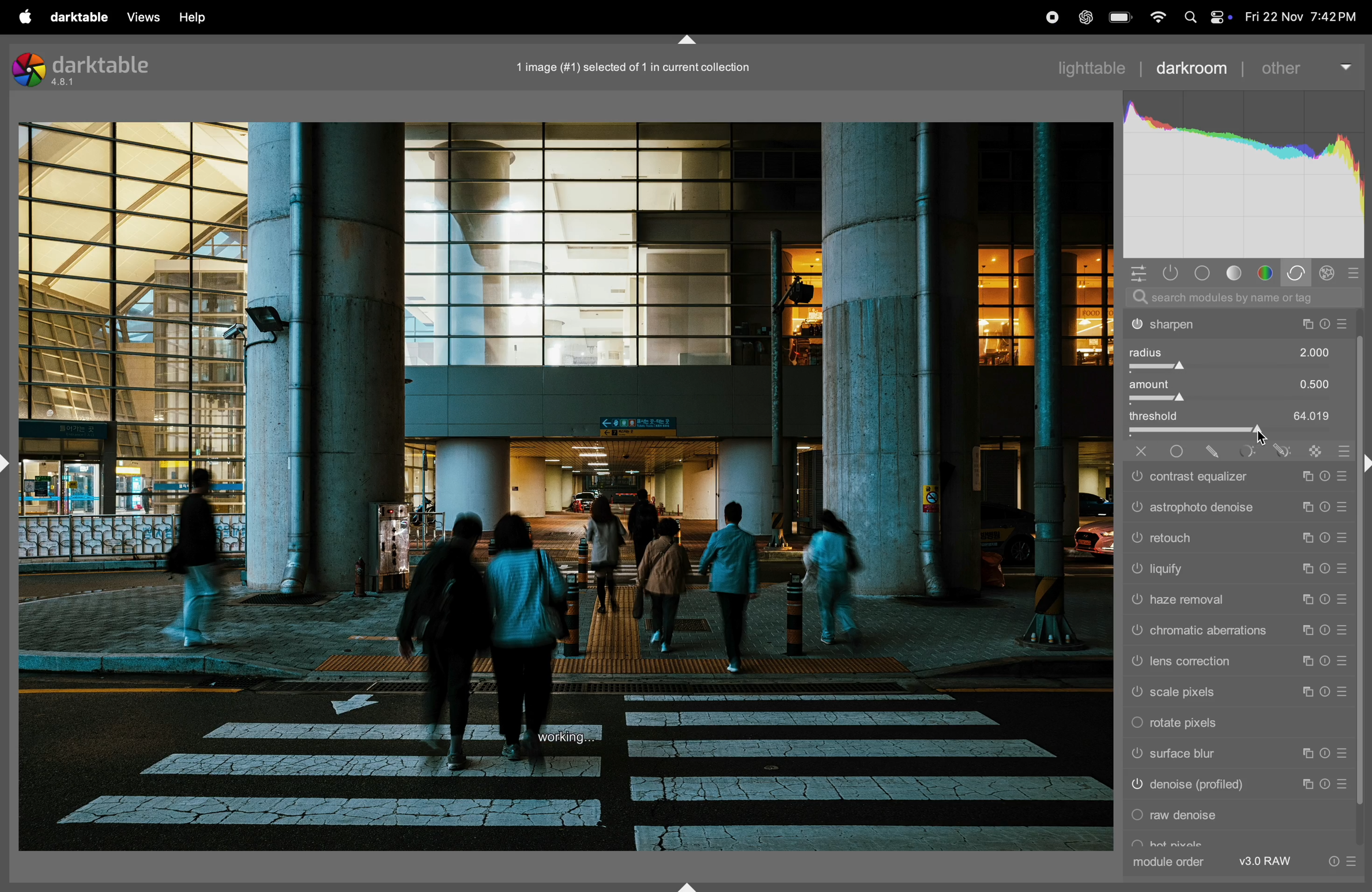  Describe the element at coordinates (1237, 693) in the screenshot. I see `sacle pixels` at that location.